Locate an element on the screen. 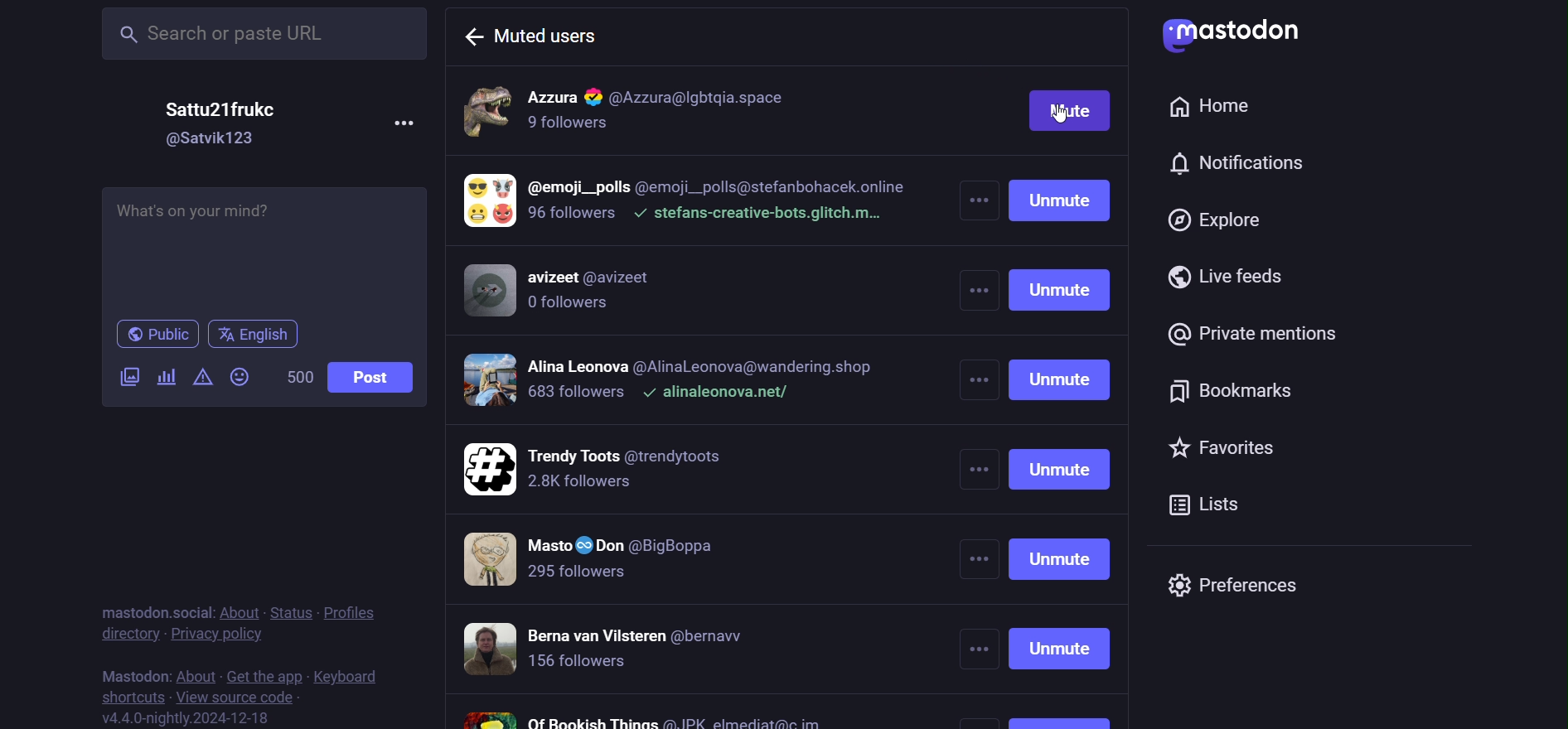 This screenshot has height=729, width=1568. profiles is located at coordinates (354, 612).